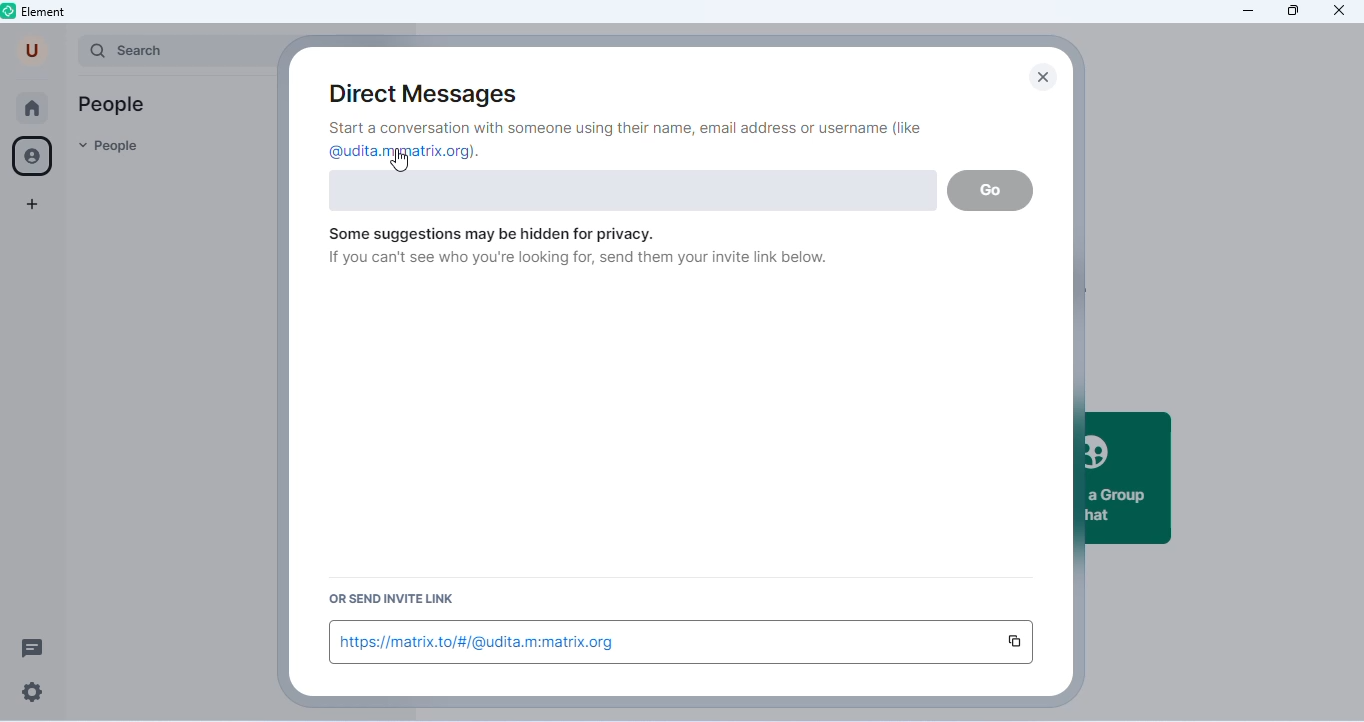 The height and width of the screenshot is (722, 1364). I want to click on people, so click(35, 157).